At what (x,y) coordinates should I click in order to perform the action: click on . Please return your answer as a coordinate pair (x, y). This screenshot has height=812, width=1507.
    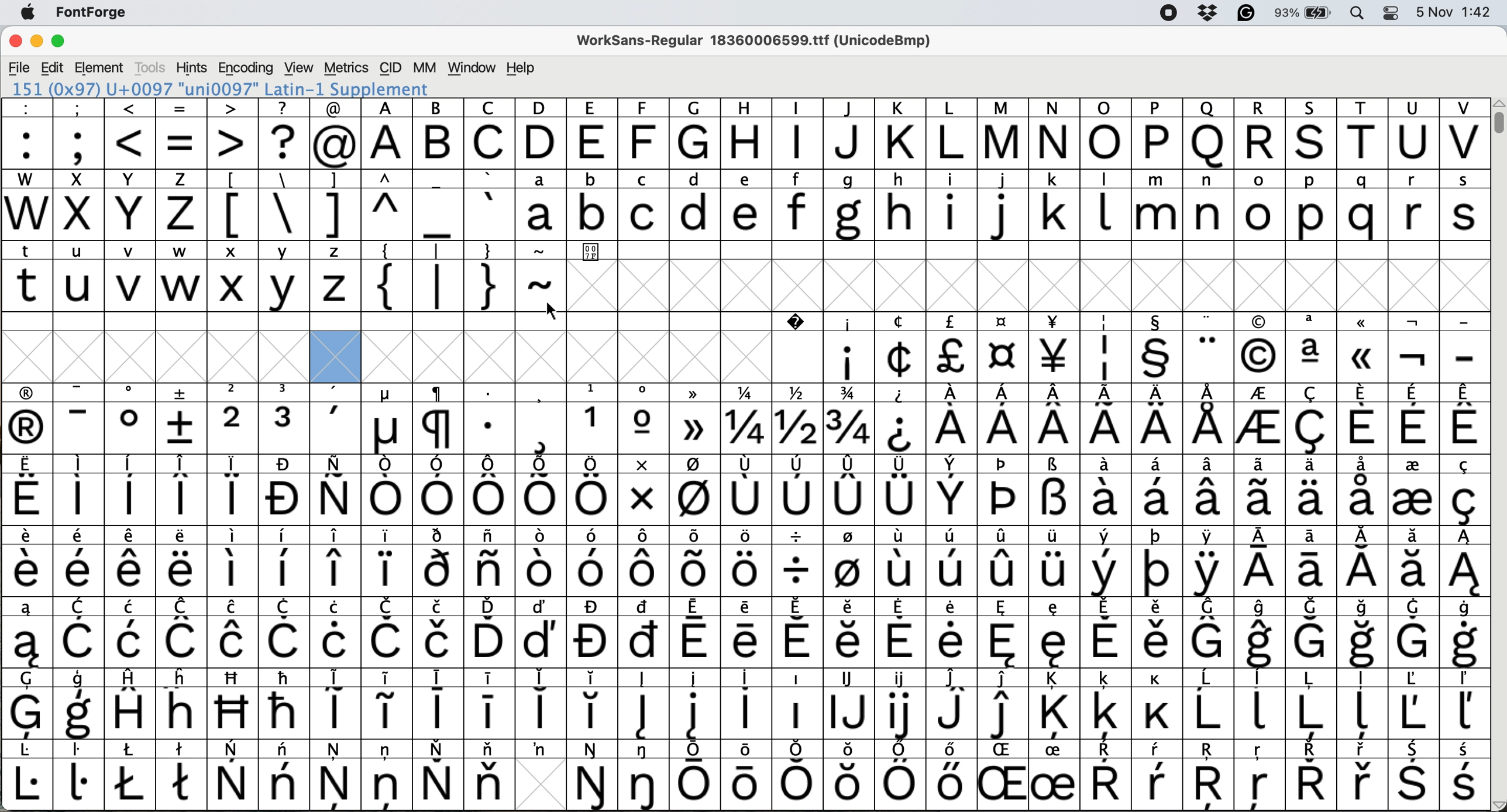
    Looking at the image, I should click on (1259, 348).